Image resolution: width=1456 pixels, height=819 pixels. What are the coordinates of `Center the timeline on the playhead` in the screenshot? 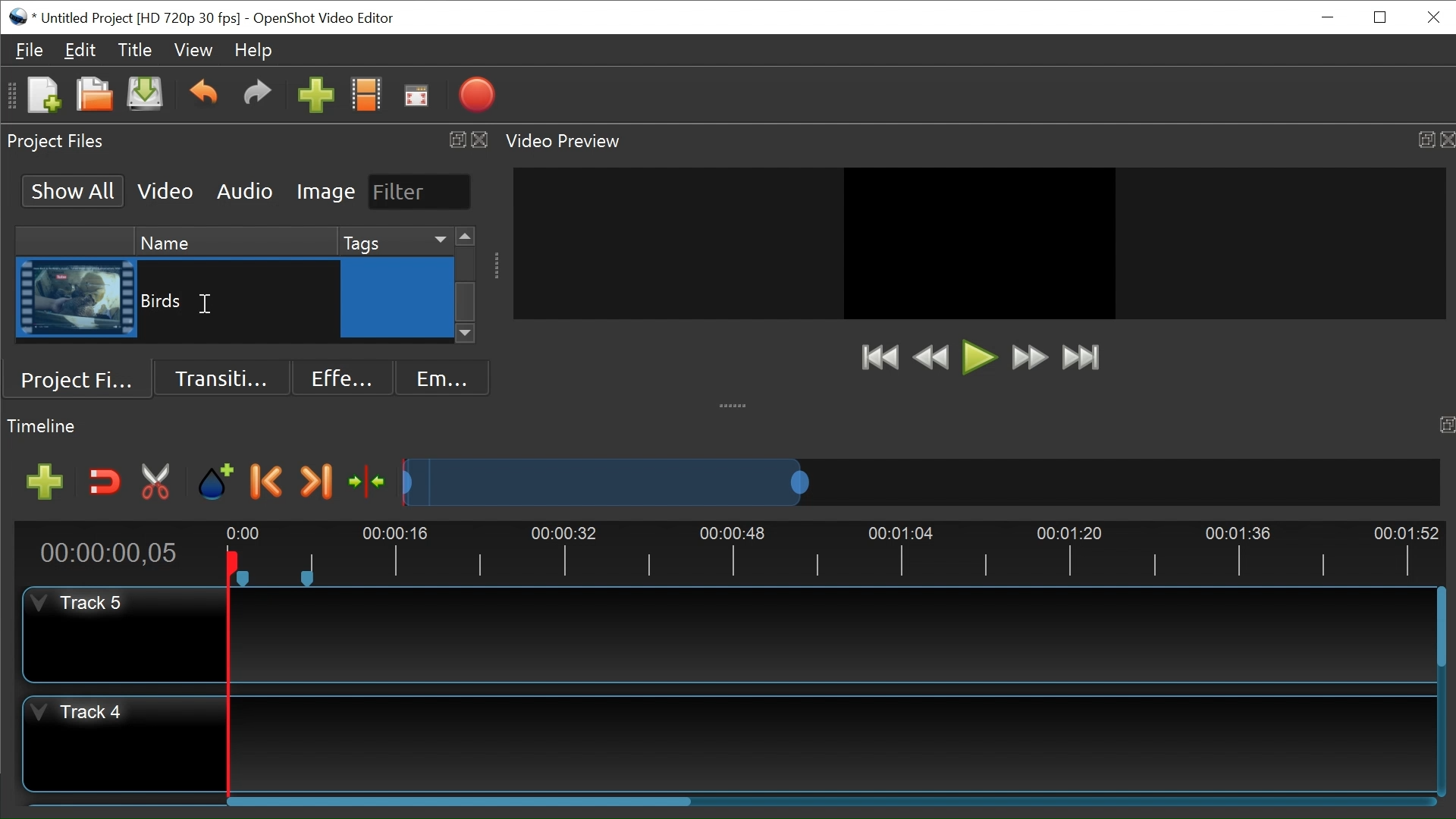 It's located at (365, 480).